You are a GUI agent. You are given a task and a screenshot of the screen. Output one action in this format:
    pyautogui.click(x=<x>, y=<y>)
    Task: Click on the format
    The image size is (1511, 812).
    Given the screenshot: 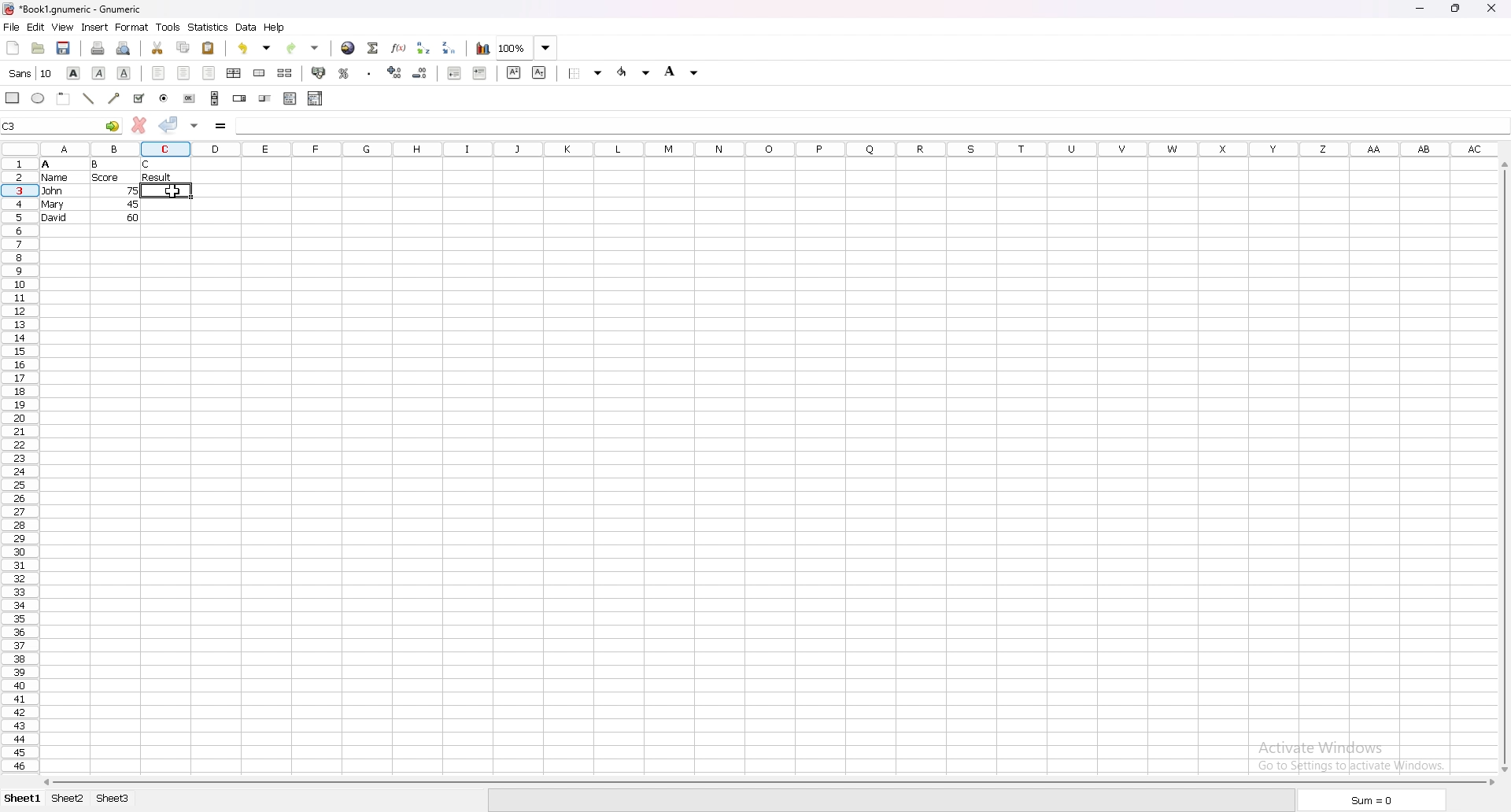 What is the action you would take?
    pyautogui.click(x=132, y=27)
    